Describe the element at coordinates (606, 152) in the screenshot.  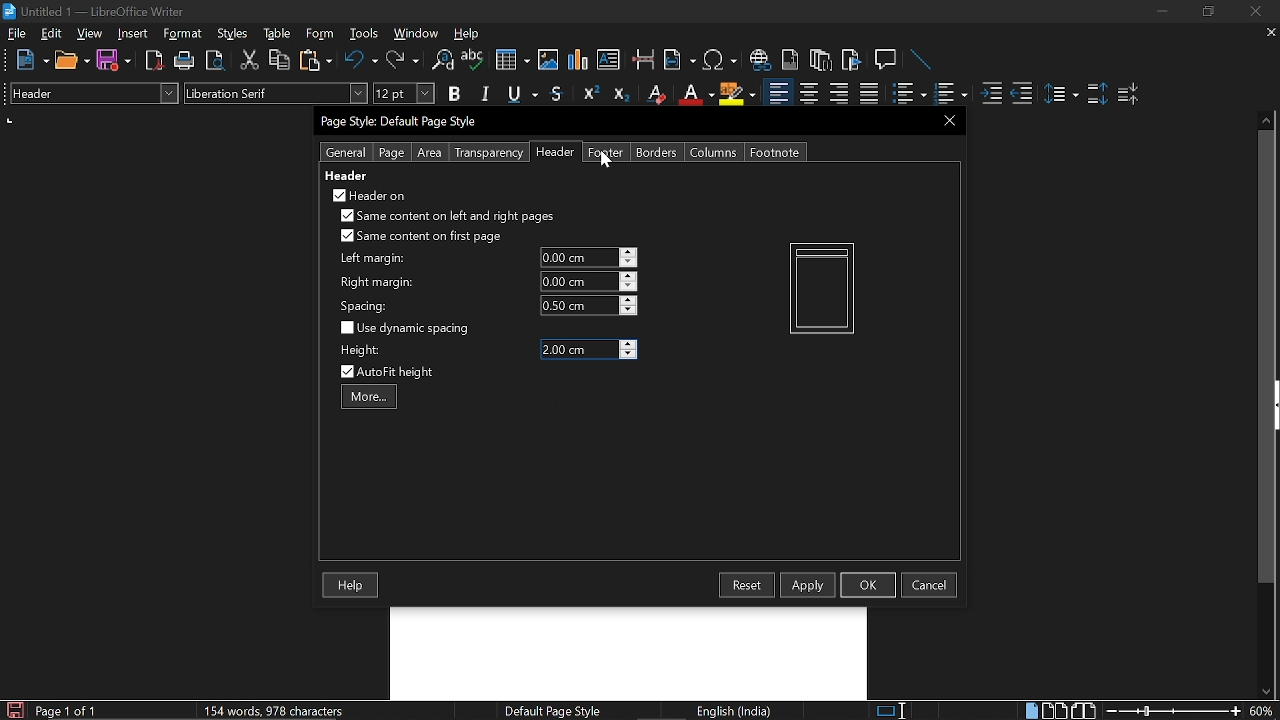
I see `Footer` at that location.